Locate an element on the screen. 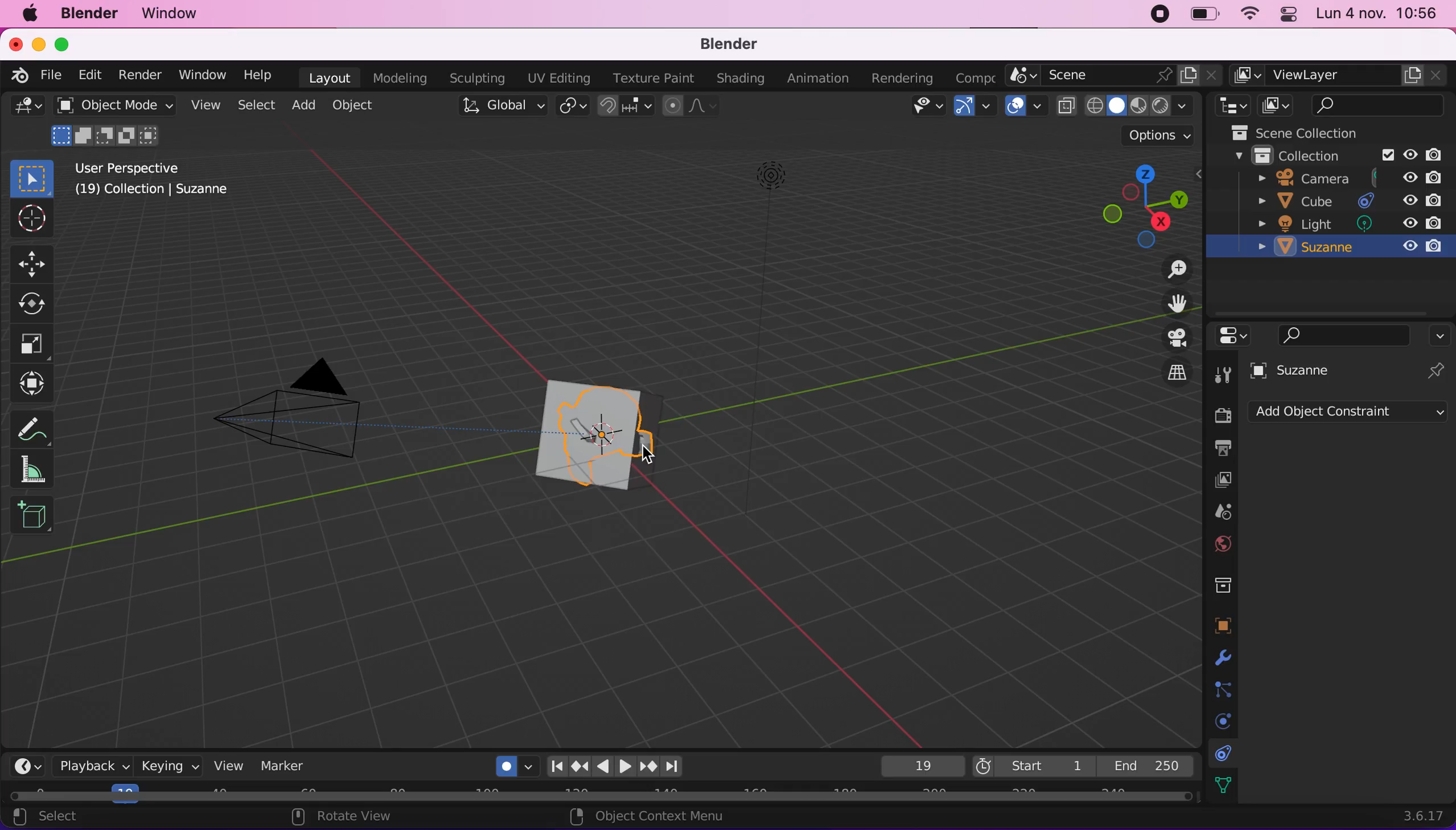  marker is located at coordinates (292, 764).